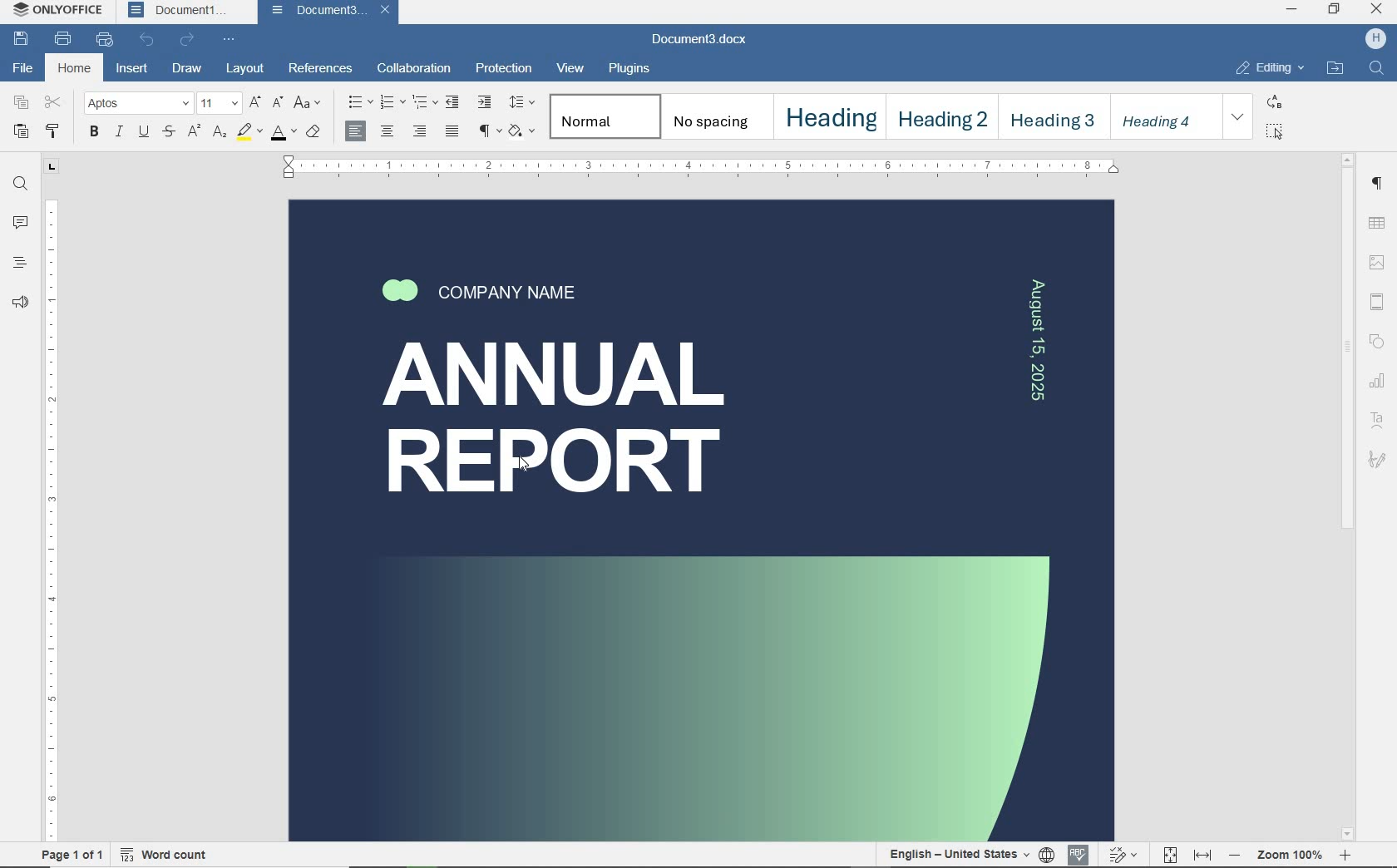  What do you see at coordinates (19, 222) in the screenshot?
I see `comments` at bounding box center [19, 222].